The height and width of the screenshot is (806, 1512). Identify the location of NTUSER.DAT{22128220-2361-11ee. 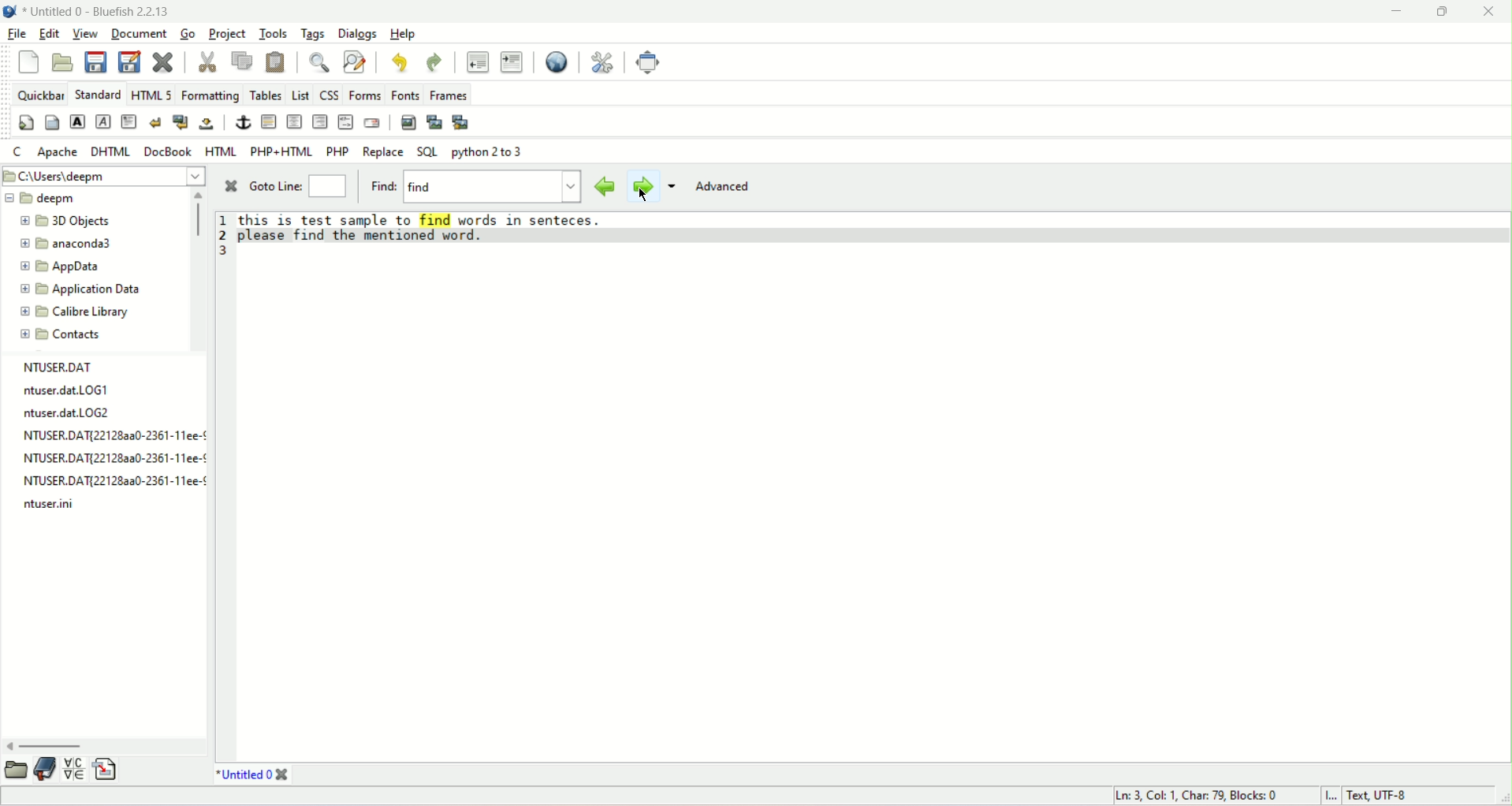
(104, 460).